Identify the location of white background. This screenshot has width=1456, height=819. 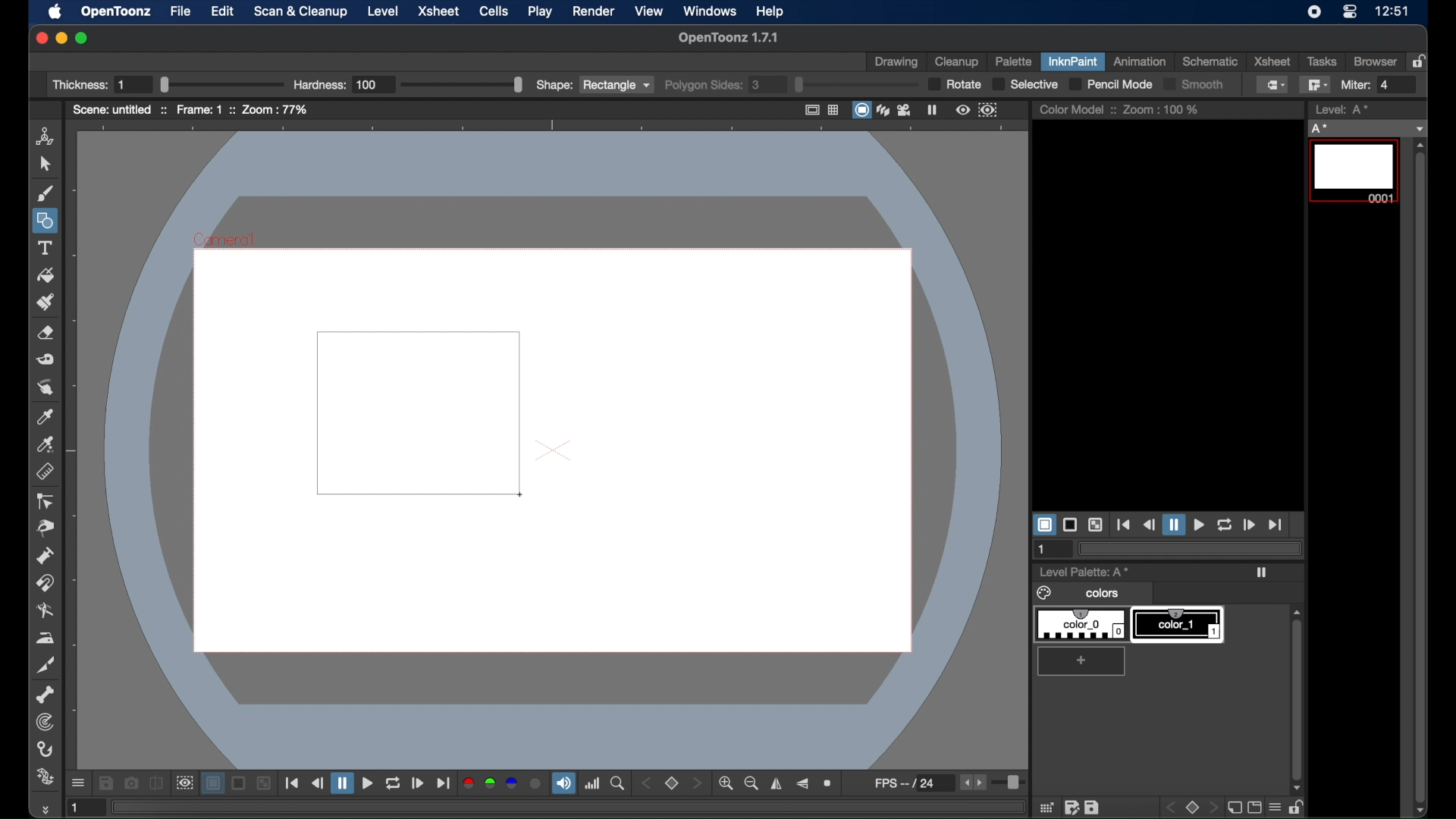
(212, 783).